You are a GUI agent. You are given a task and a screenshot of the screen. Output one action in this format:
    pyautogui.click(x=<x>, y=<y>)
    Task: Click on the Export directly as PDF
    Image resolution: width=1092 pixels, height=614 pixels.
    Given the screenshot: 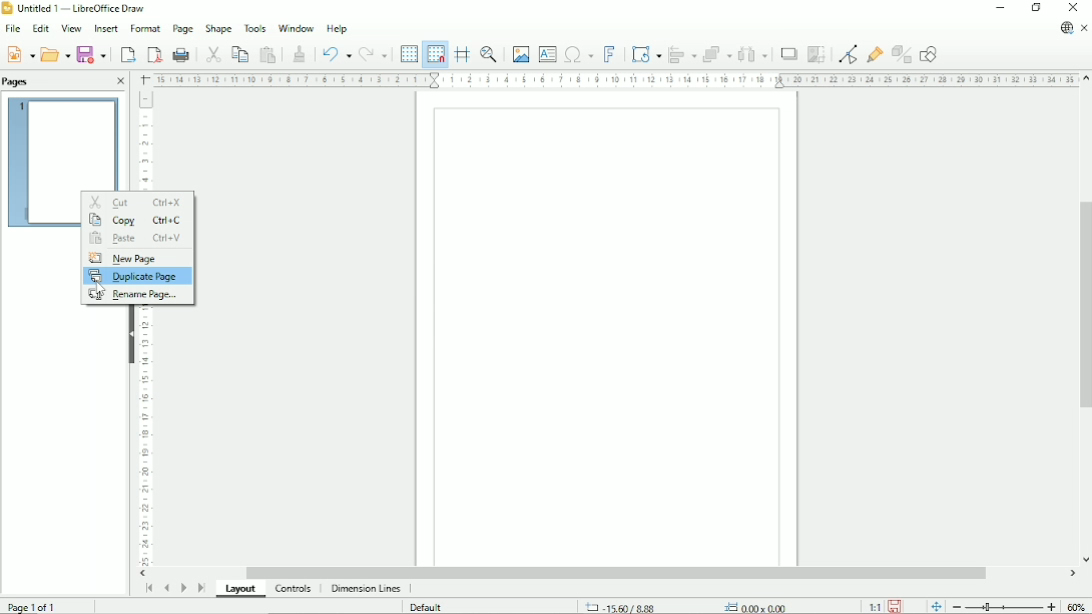 What is the action you would take?
    pyautogui.click(x=154, y=55)
    